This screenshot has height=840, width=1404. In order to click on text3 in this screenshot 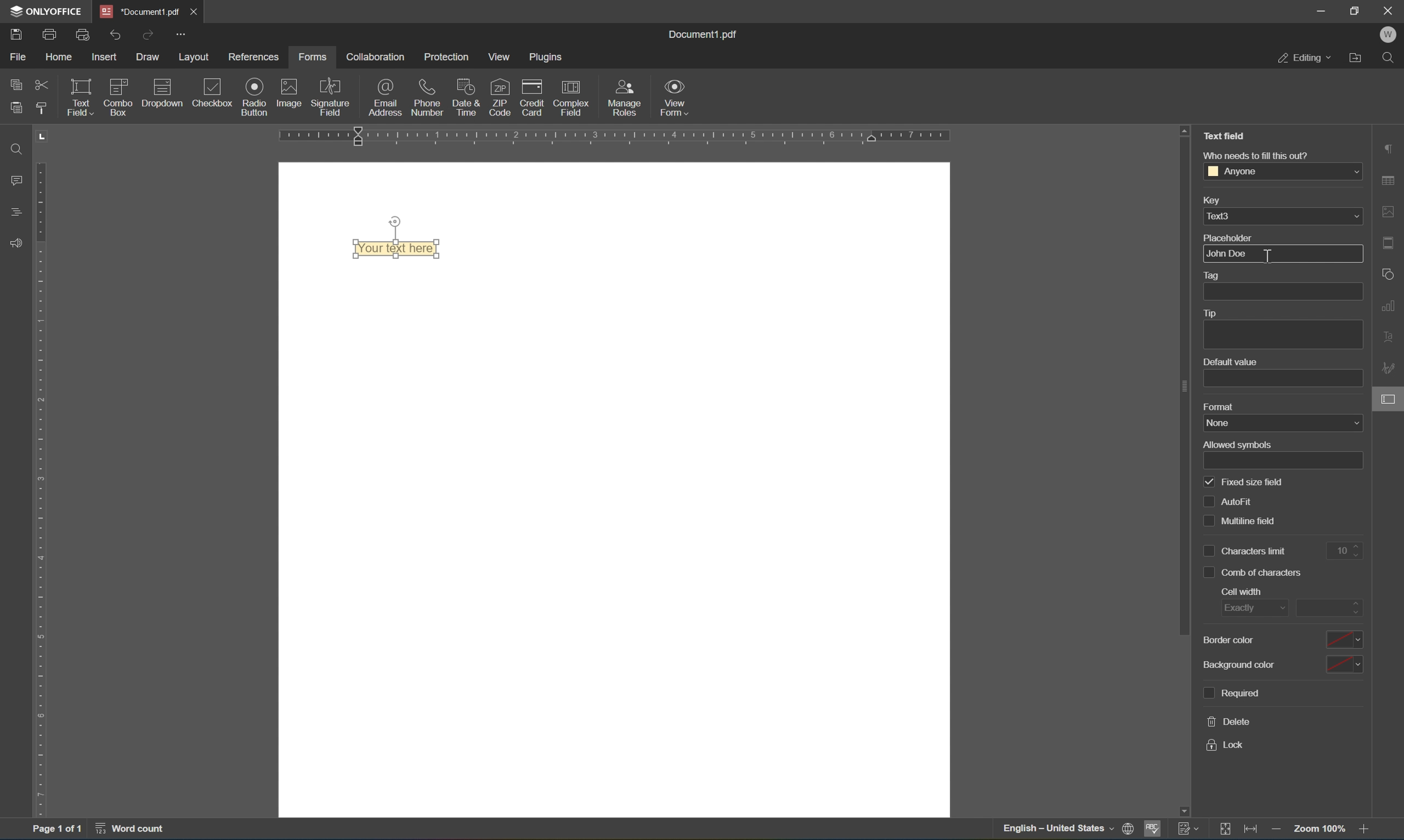, I will do `click(1285, 217)`.